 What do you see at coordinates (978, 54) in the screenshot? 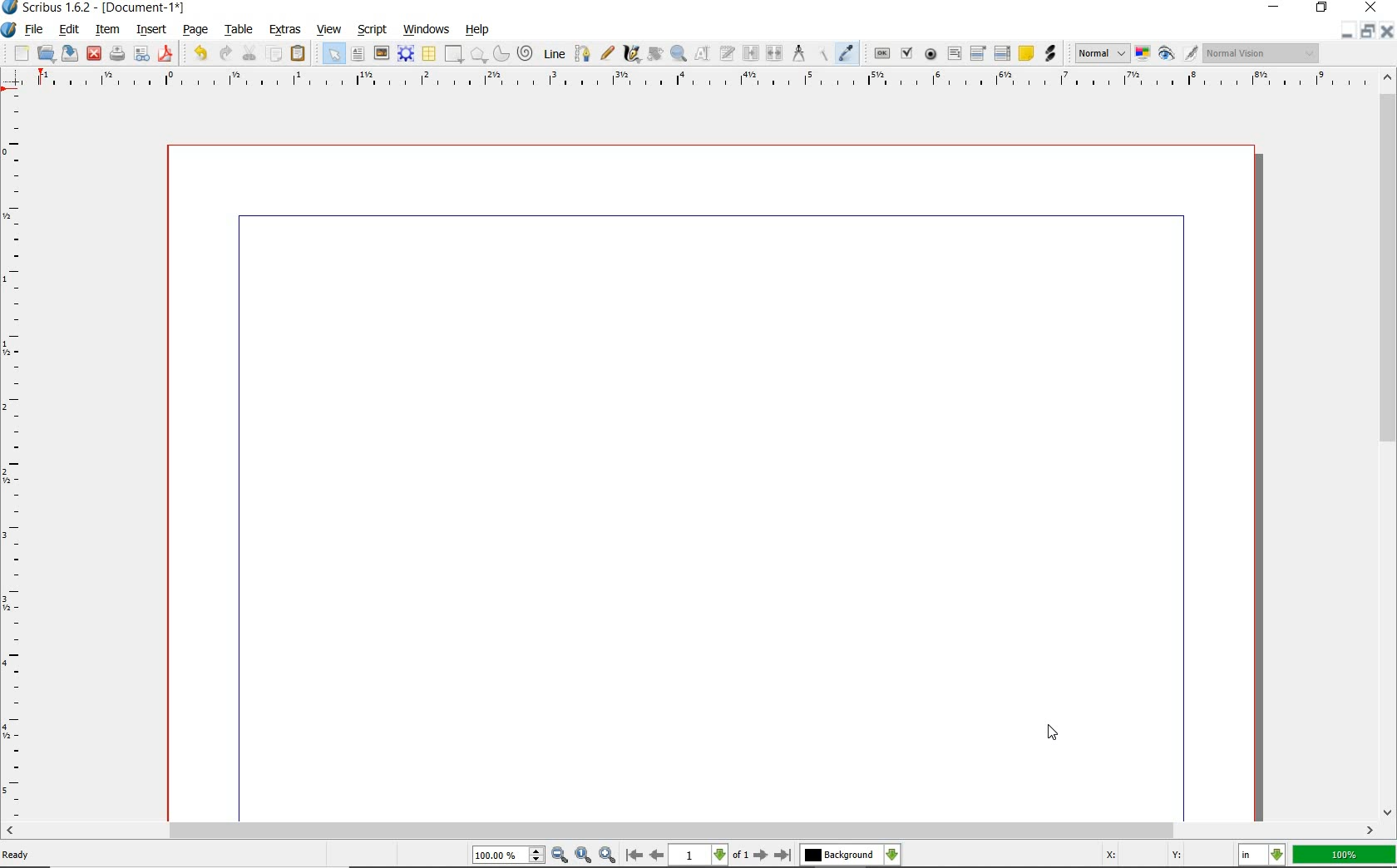
I see `pdf combo box` at bounding box center [978, 54].